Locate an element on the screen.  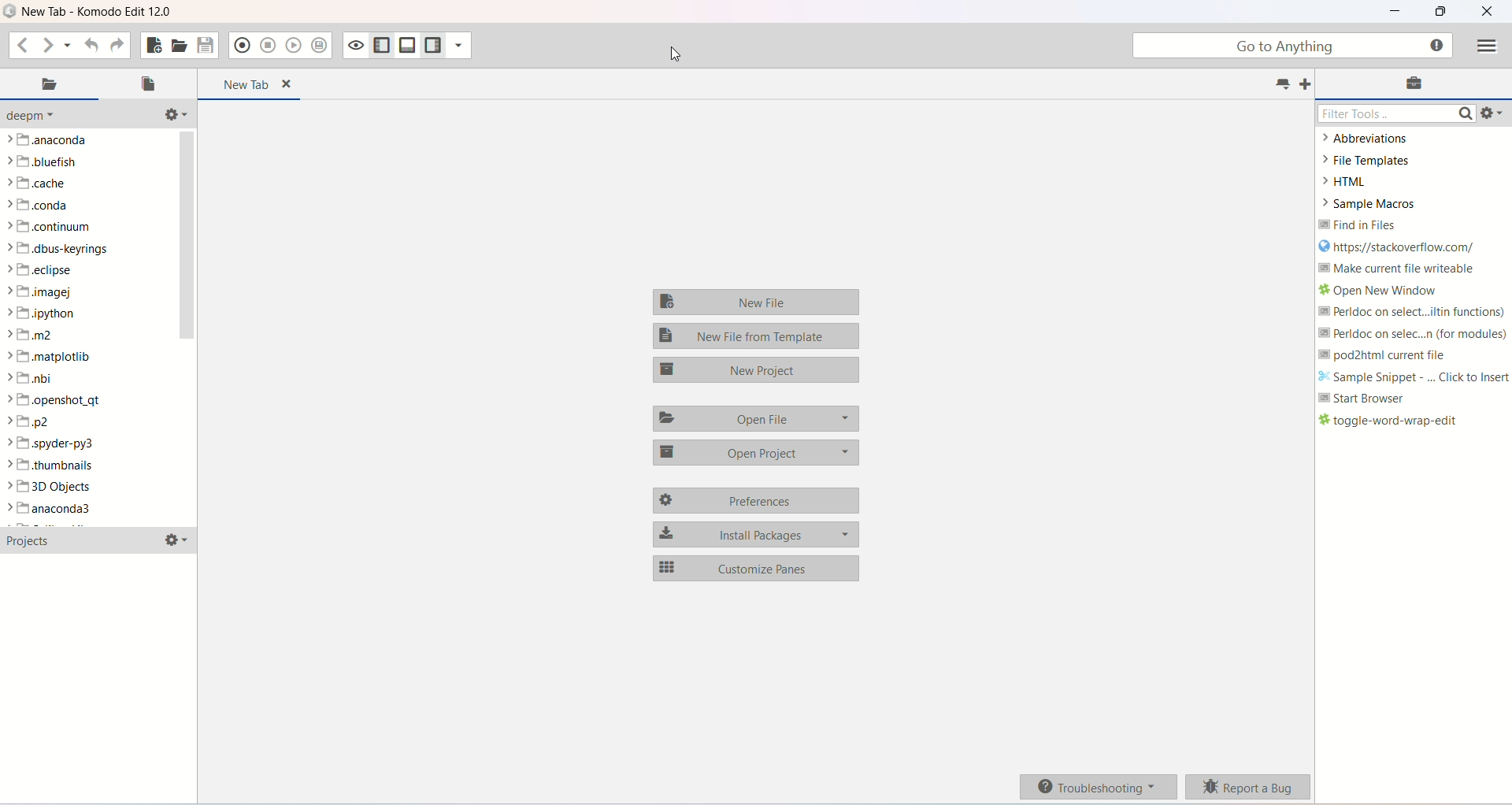
go back one step is located at coordinates (20, 45).